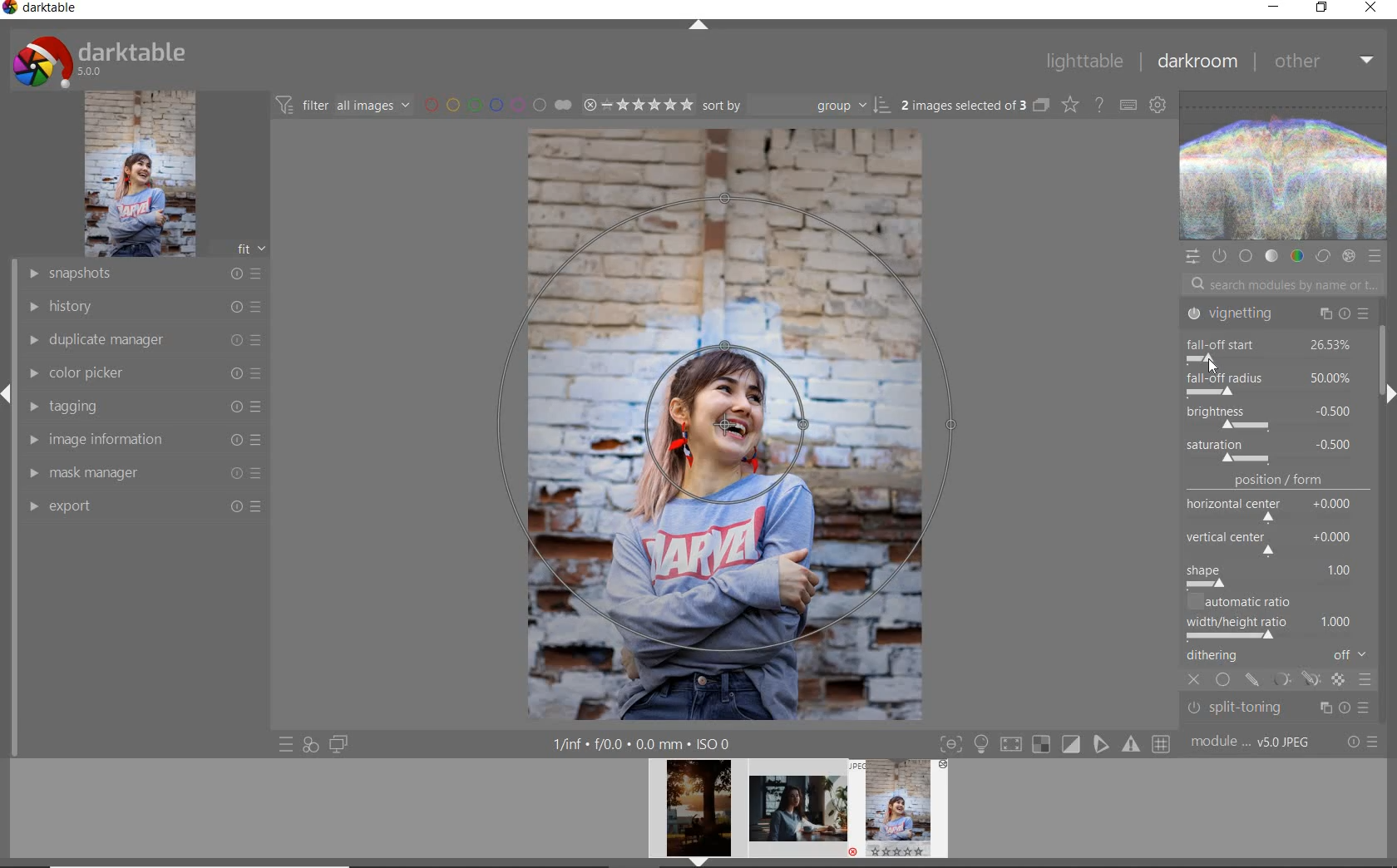  What do you see at coordinates (143, 274) in the screenshot?
I see `snapshots` at bounding box center [143, 274].